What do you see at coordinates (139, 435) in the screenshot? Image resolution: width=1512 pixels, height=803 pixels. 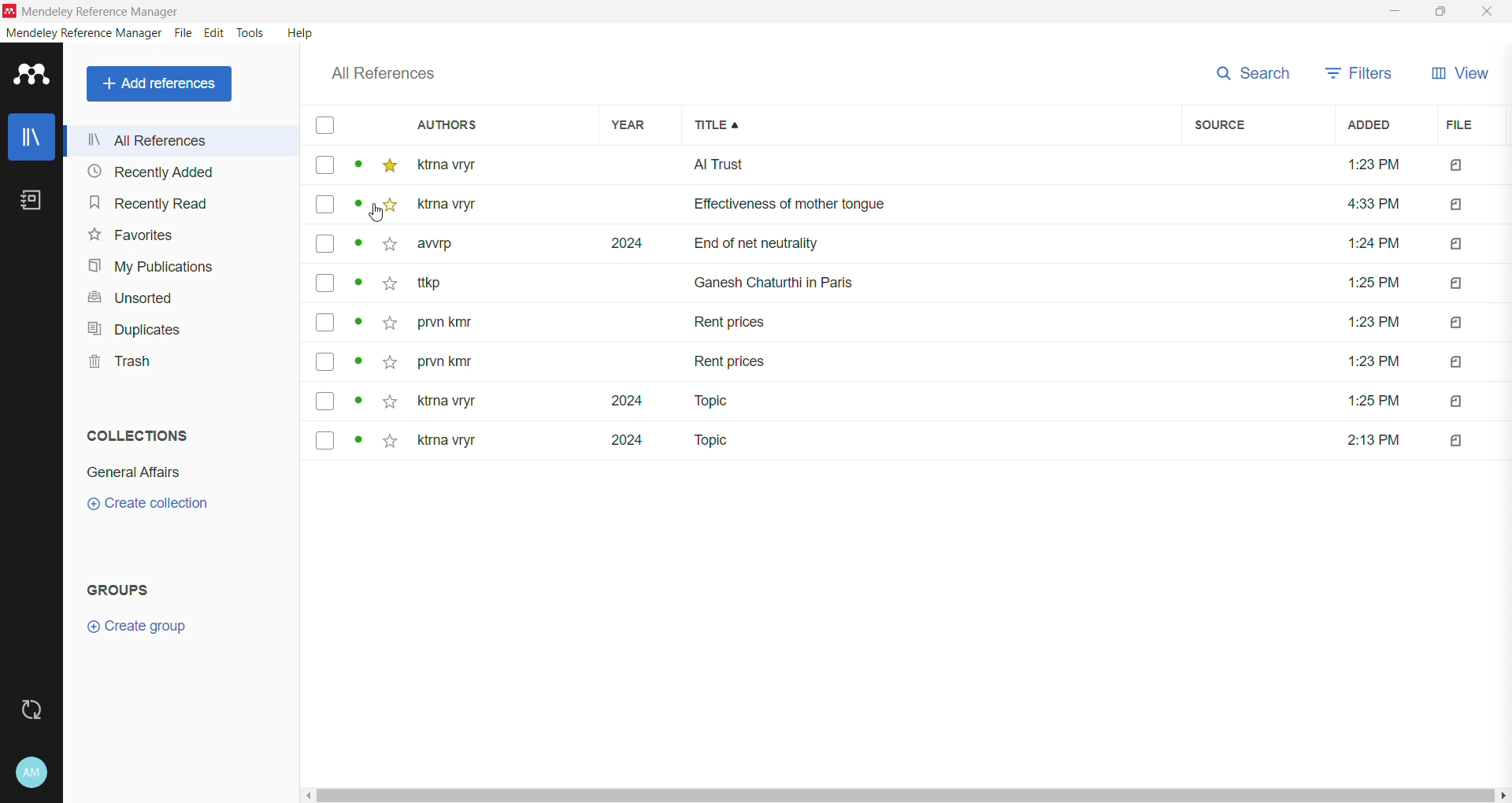 I see `Collections` at bounding box center [139, 435].